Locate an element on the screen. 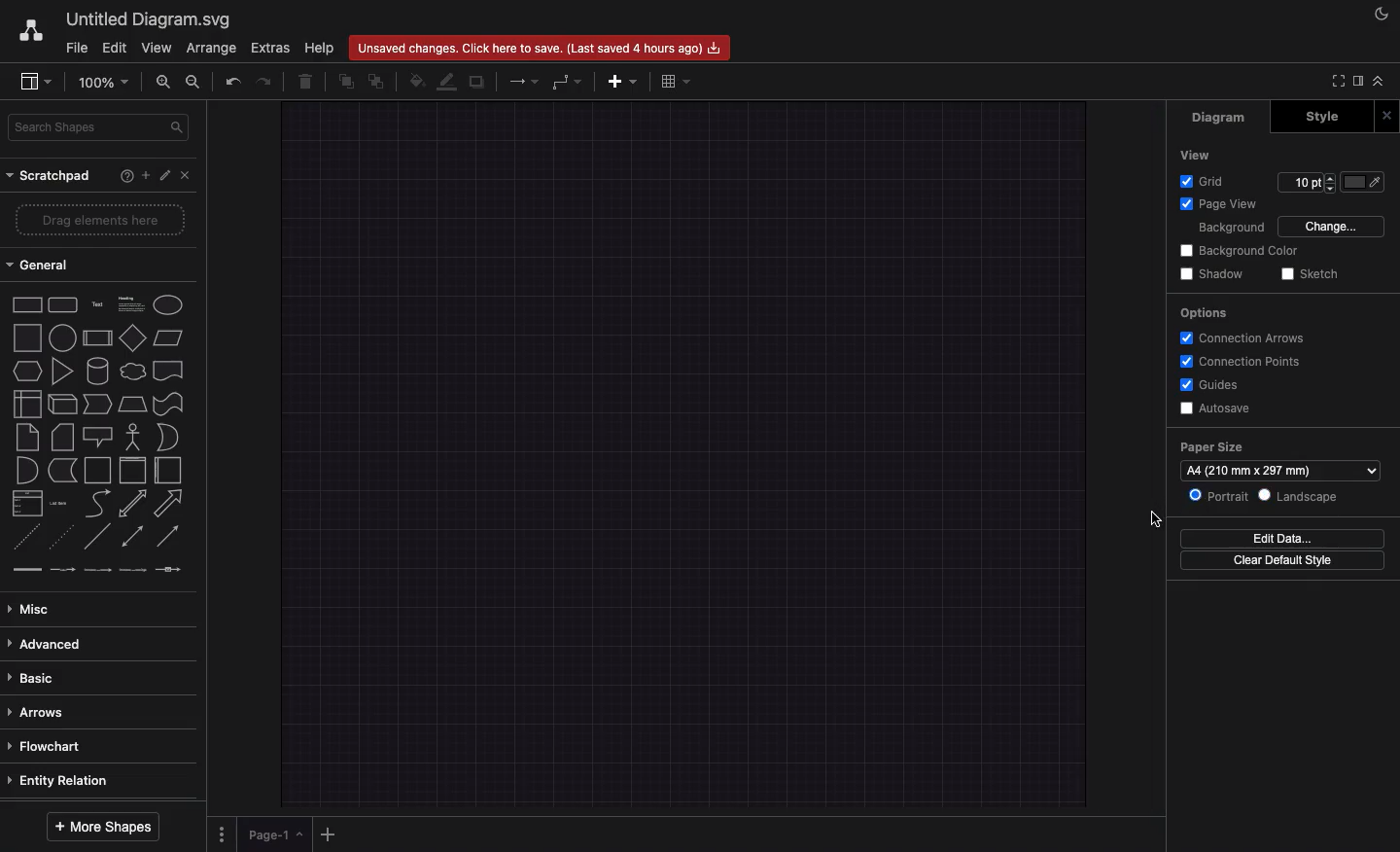 This screenshot has width=1400, height=852. Zoom out is located at coordinates (195, 83).